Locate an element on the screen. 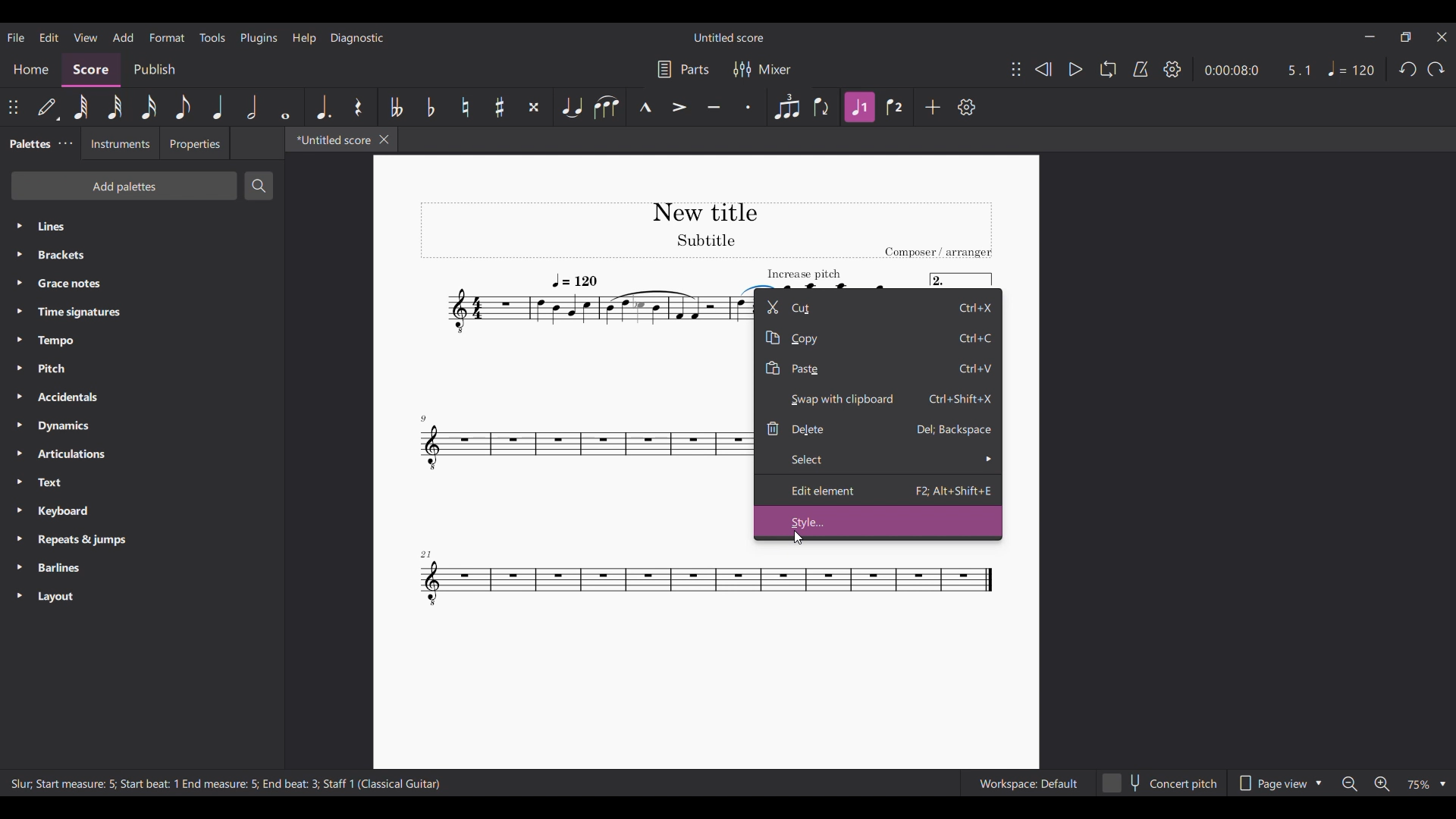 The width and height of the screenshot is (1456, 819). Tools menu is located at coordinates (212, 37).